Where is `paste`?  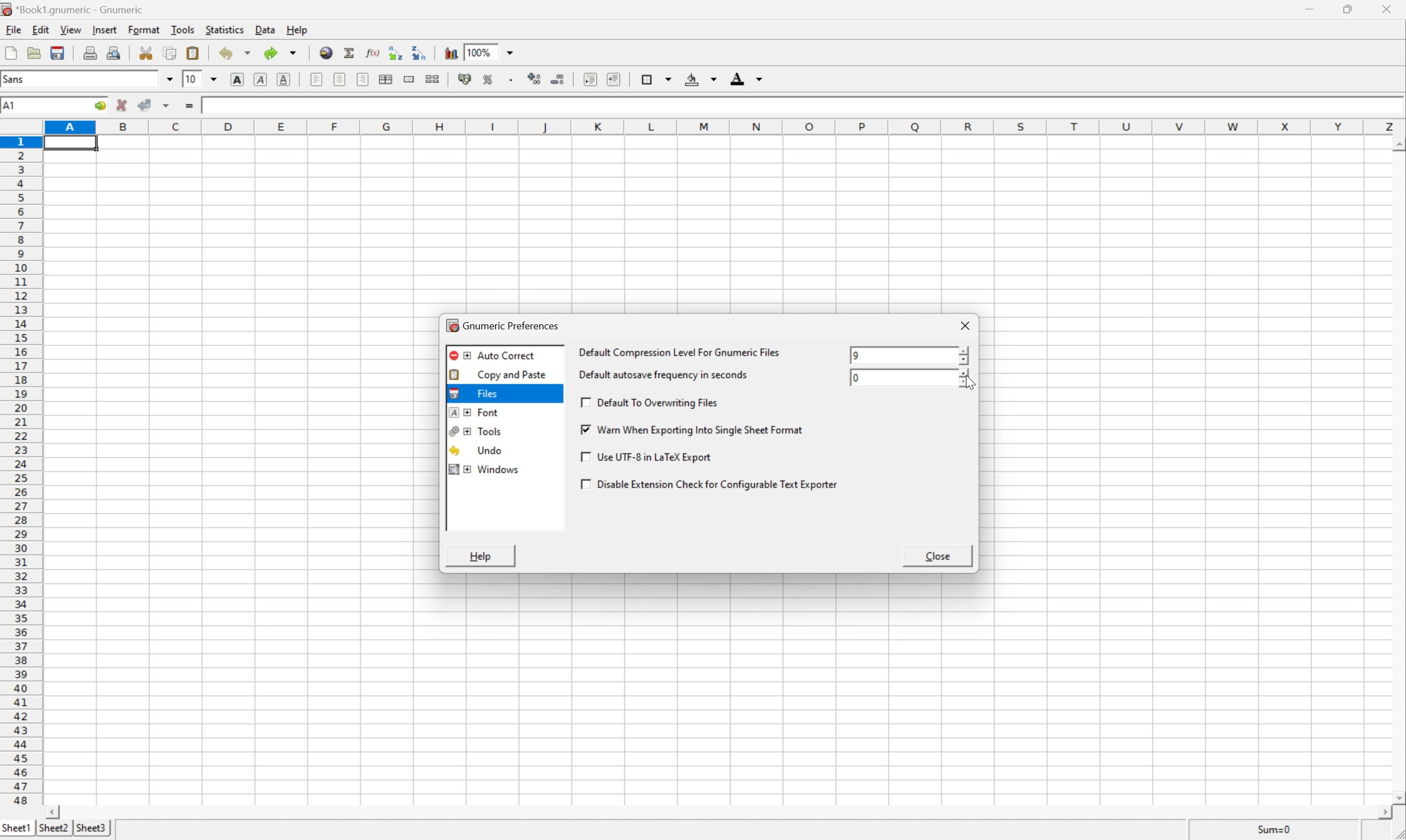
paste is located at coordinates (193, 52).